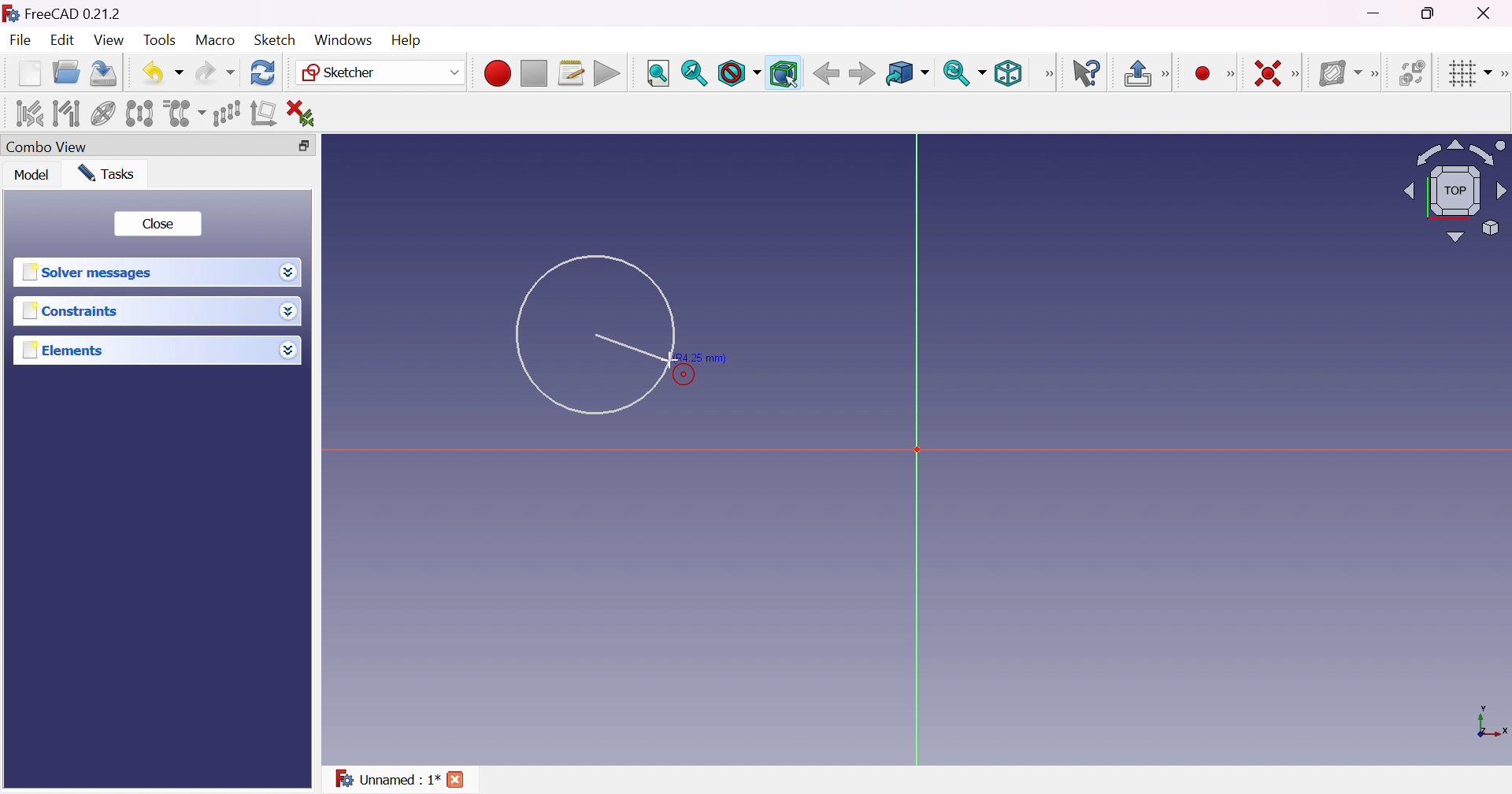 This screenshot has height=794, width=1512. What do you see at coordinates (497, 74) in the screenshot?
I see `Macro recording...` at bounding box center [497, 74].